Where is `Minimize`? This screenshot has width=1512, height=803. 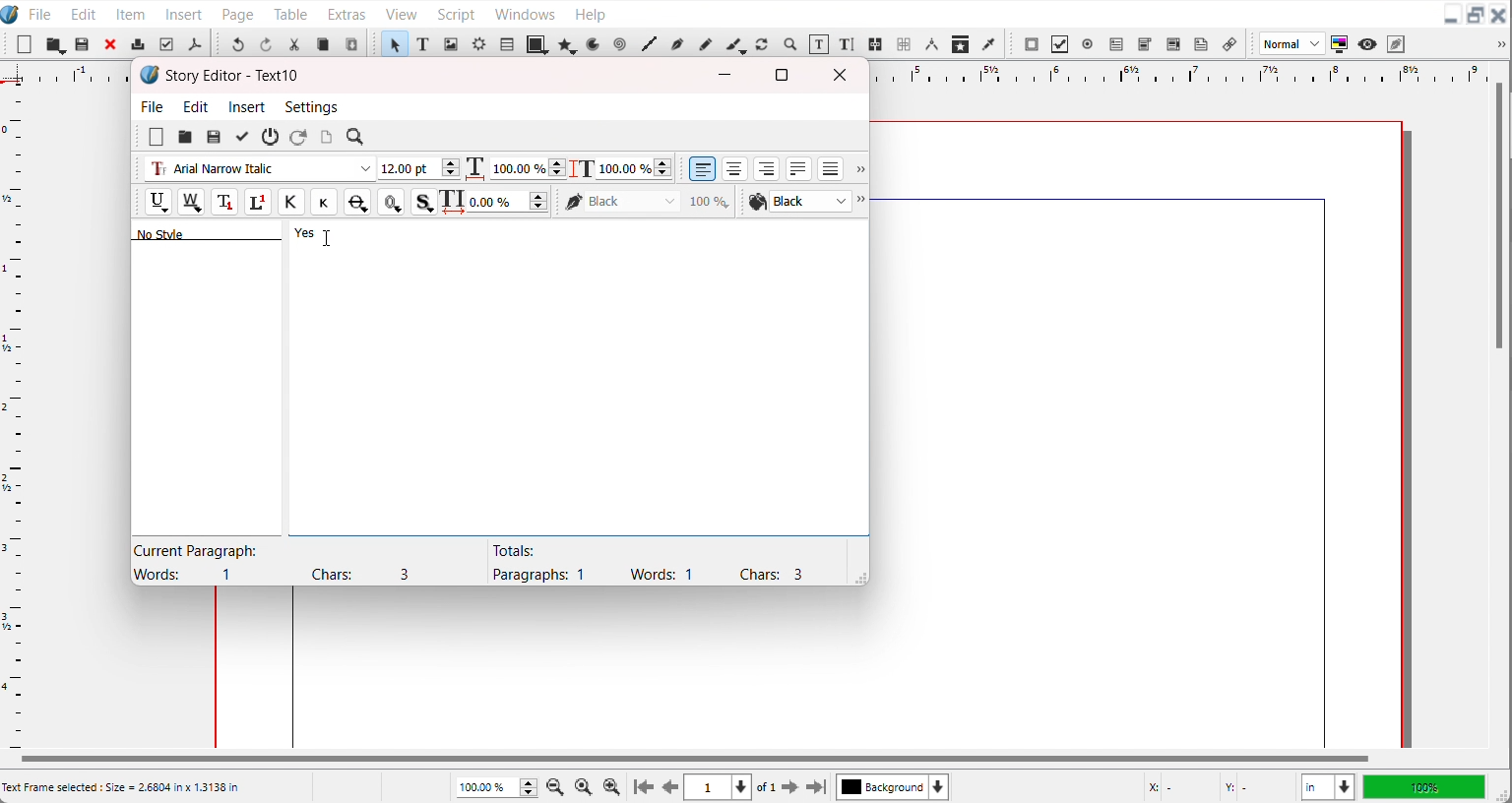
Minimize is located at coordinates (725, 75).